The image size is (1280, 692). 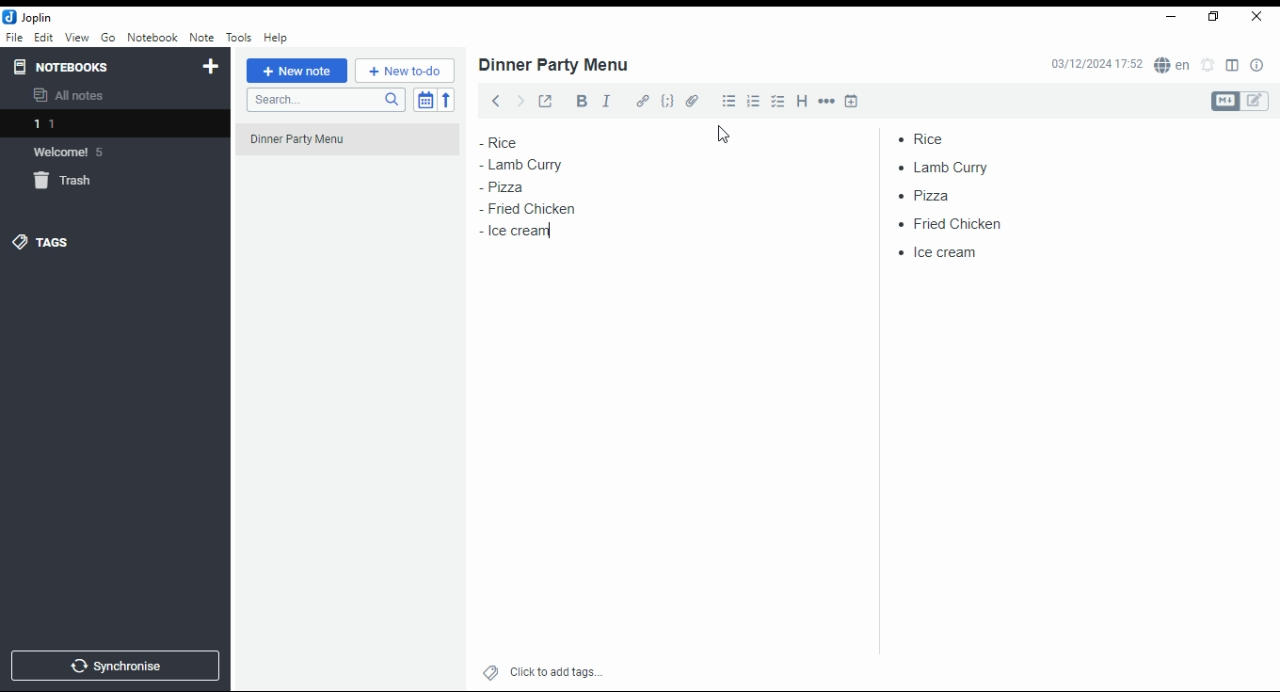 I want to click on bold, so click(x=578, y=101).